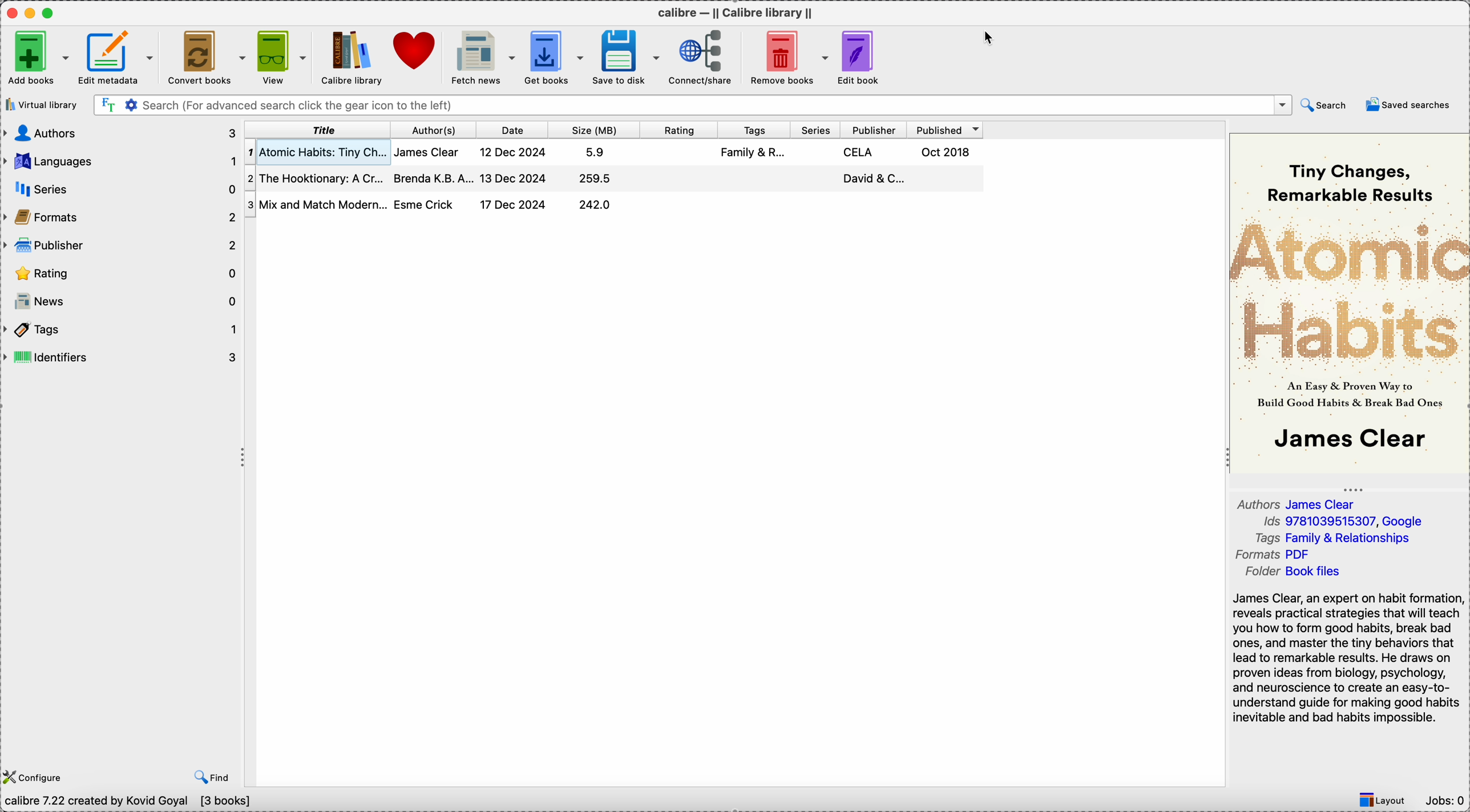  I want to click on David & C..., so click(873, 178).